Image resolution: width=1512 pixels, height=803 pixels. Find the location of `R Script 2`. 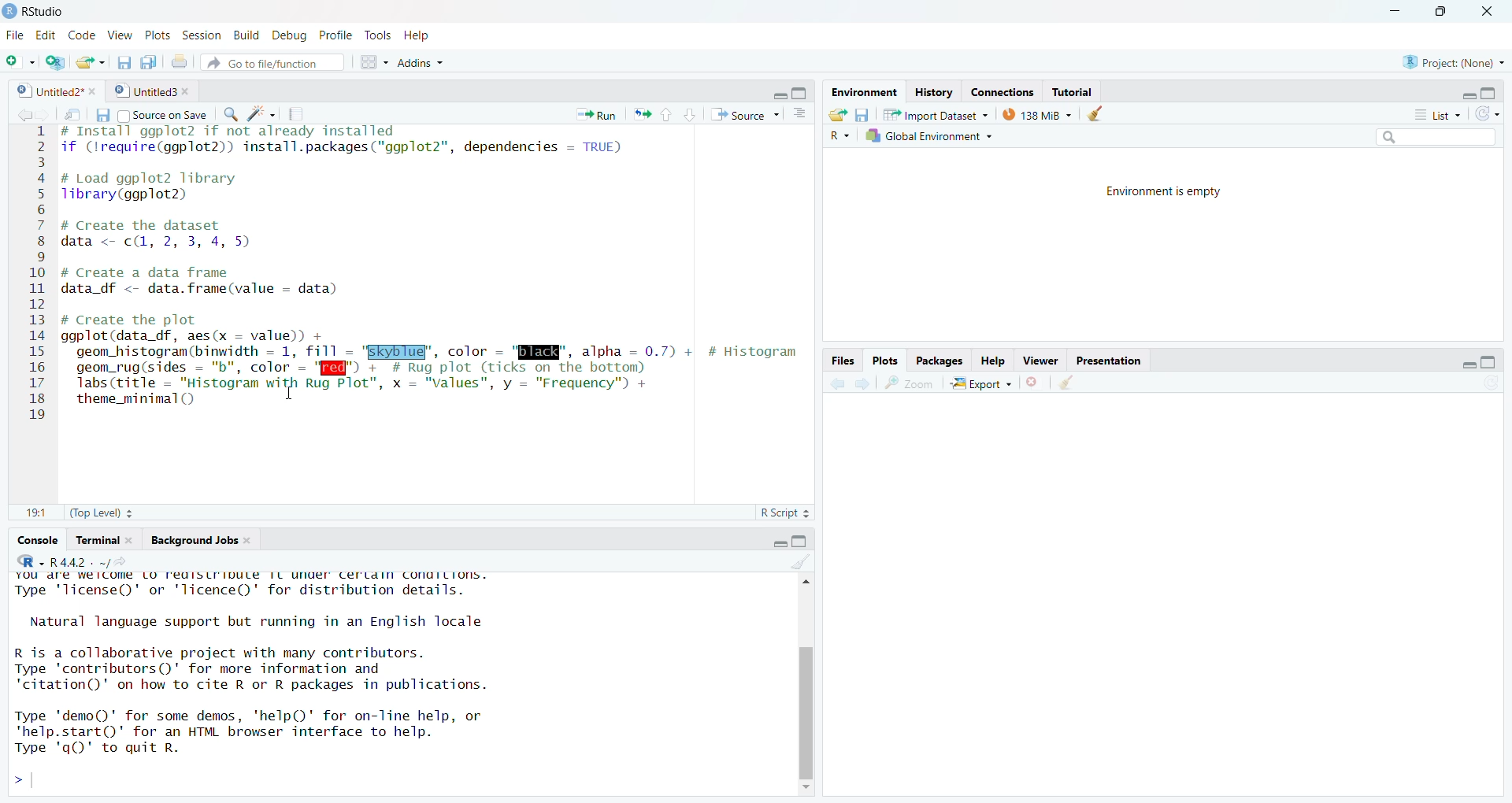

R Script 2 is located at coordinates (776, 513).